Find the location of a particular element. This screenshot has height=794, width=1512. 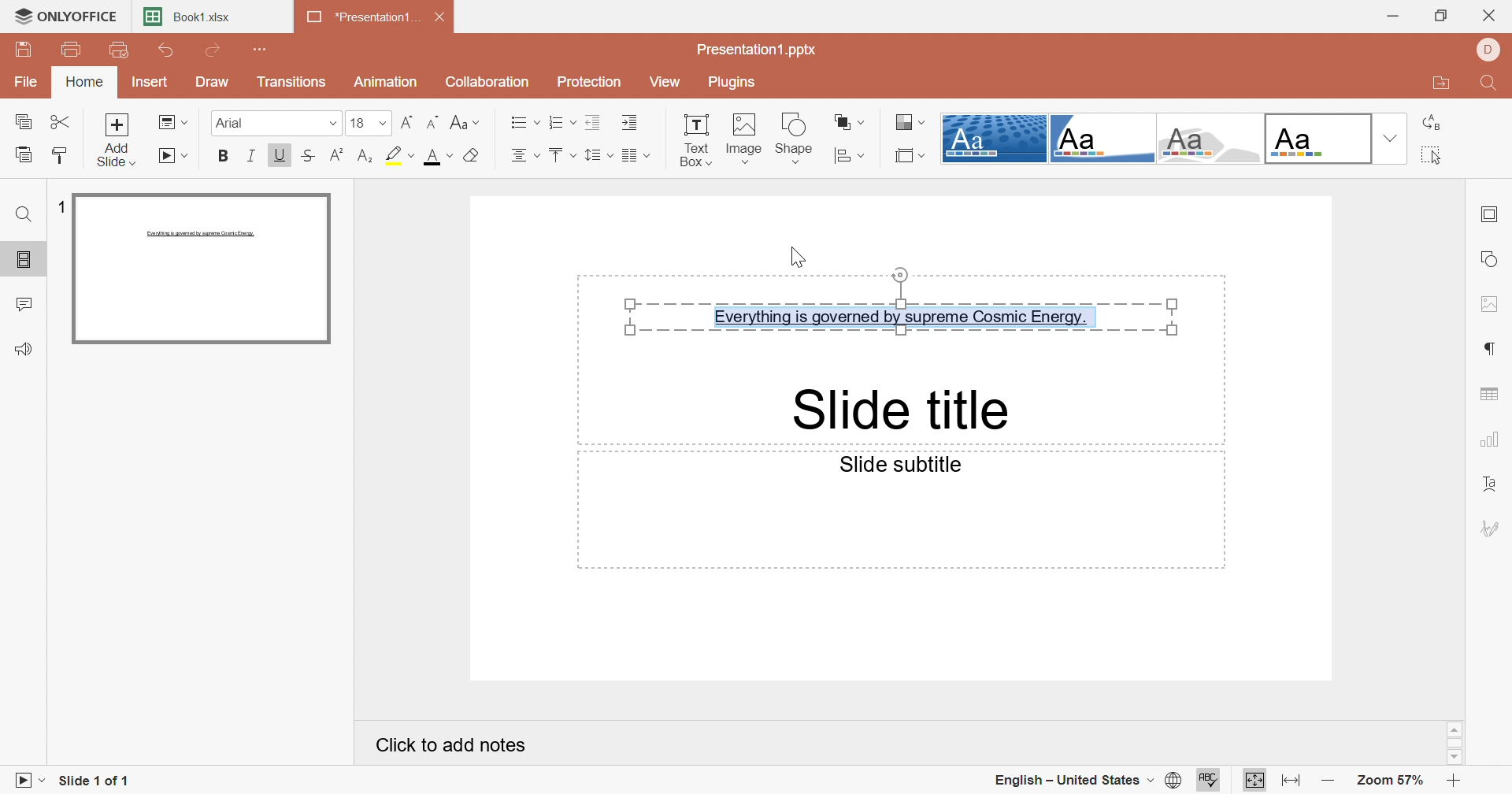

Comments is located at coordinates (24, 303).